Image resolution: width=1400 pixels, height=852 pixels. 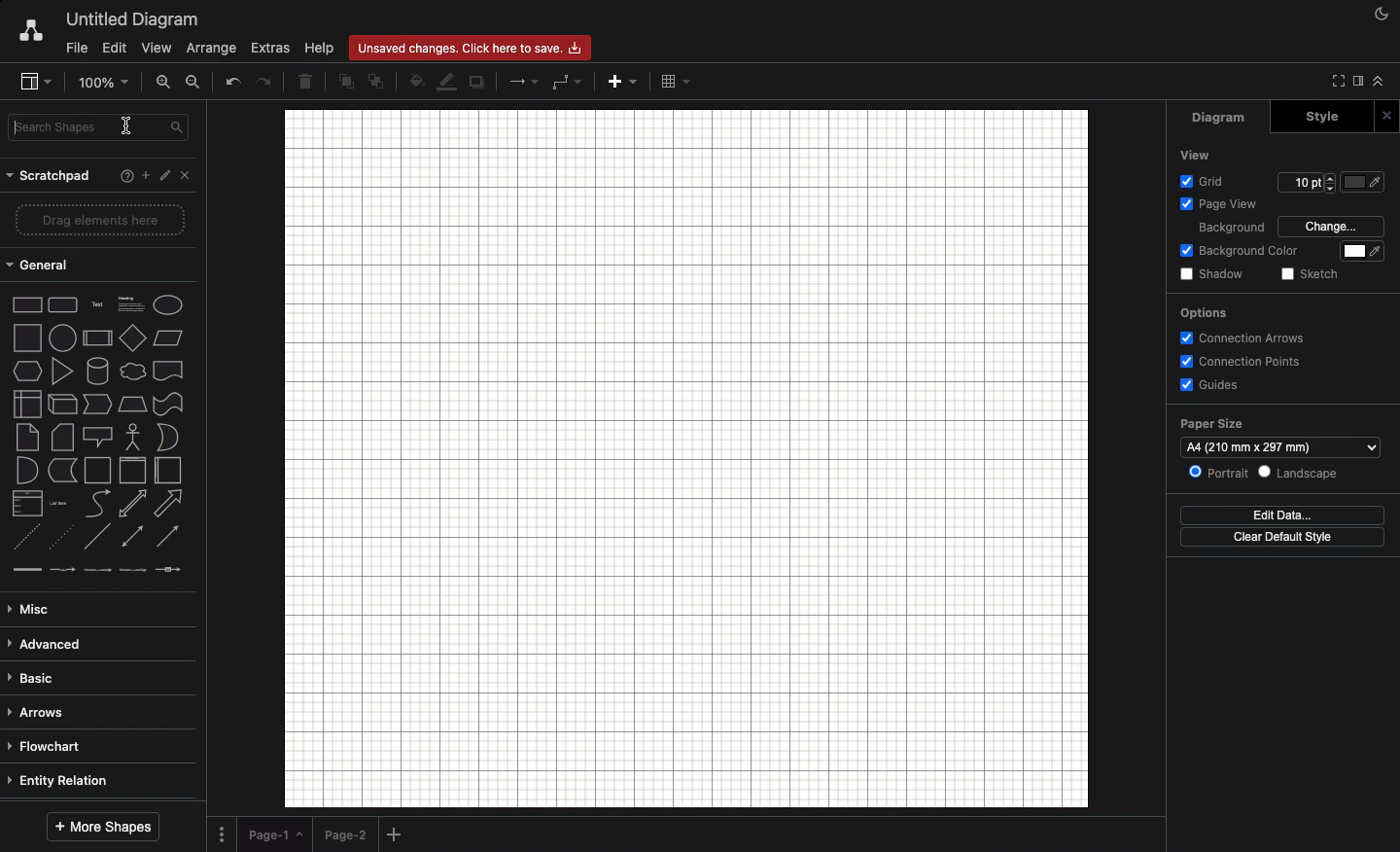 What do you see at coordinates (98, 307) in the screenshot?
I see `` at bounding box center [98, 307].